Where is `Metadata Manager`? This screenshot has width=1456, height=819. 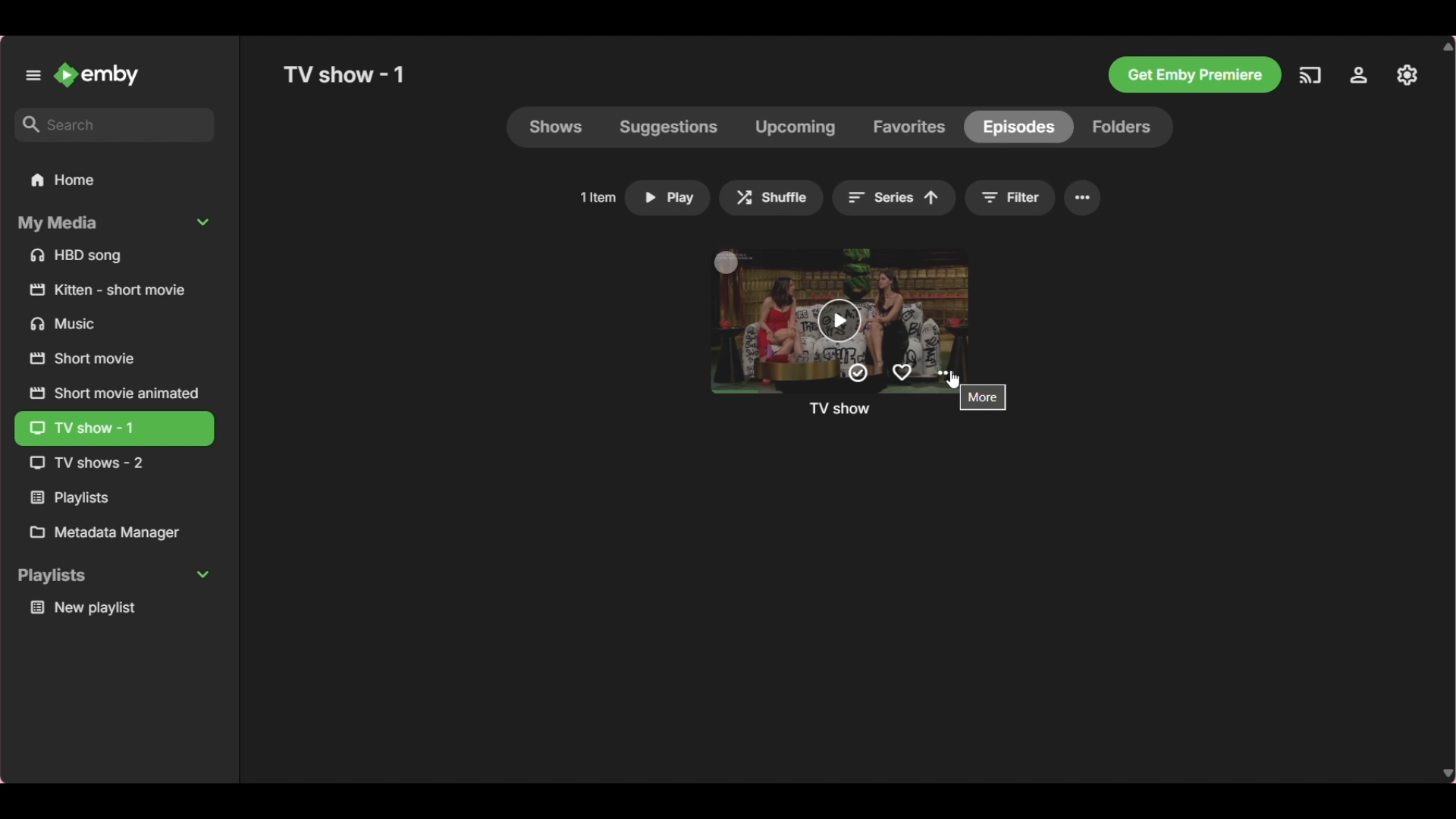 Metadata Manager is located at coordinates (114, 532).